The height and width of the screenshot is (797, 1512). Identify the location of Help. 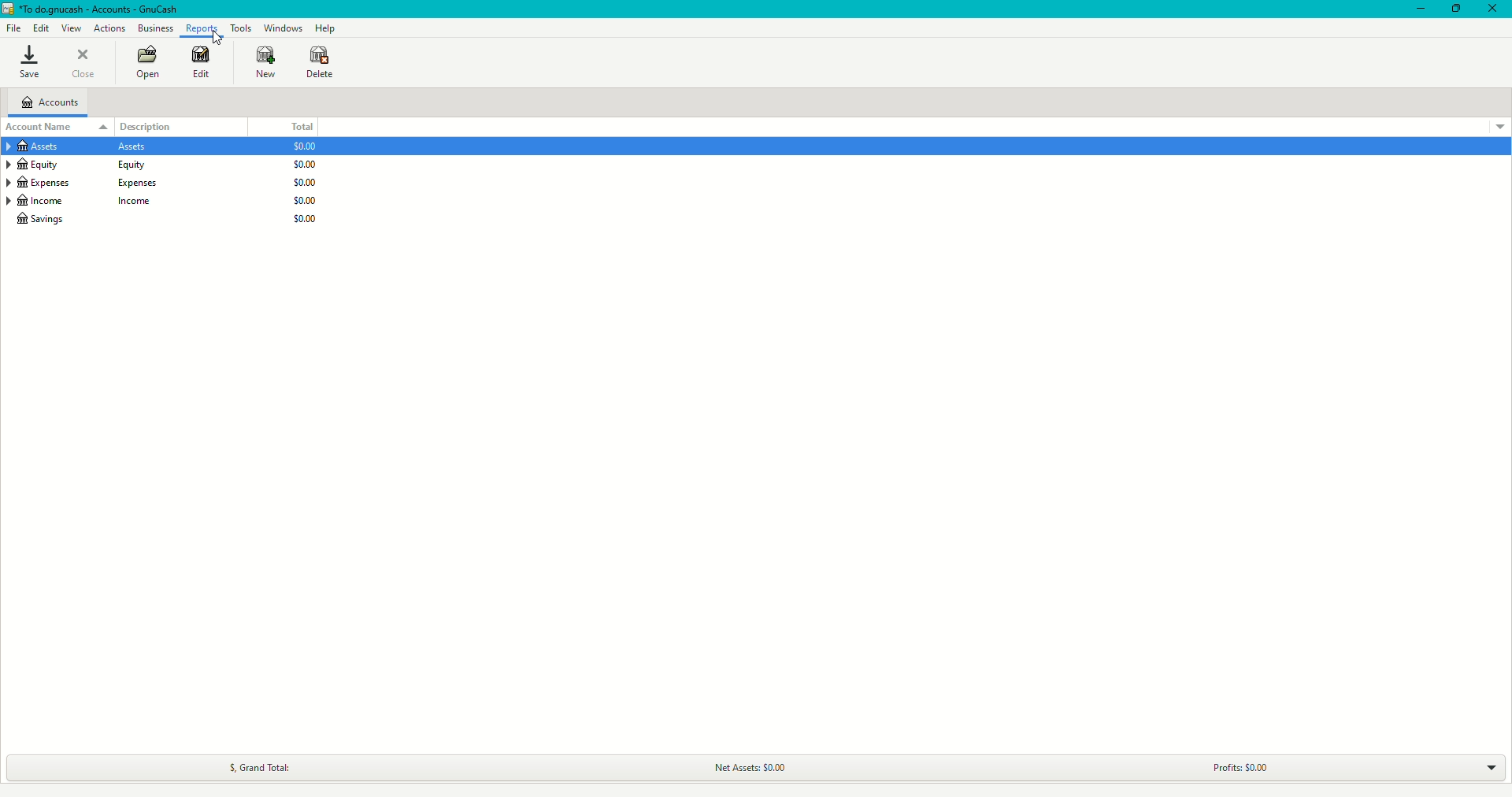
(326, 28).